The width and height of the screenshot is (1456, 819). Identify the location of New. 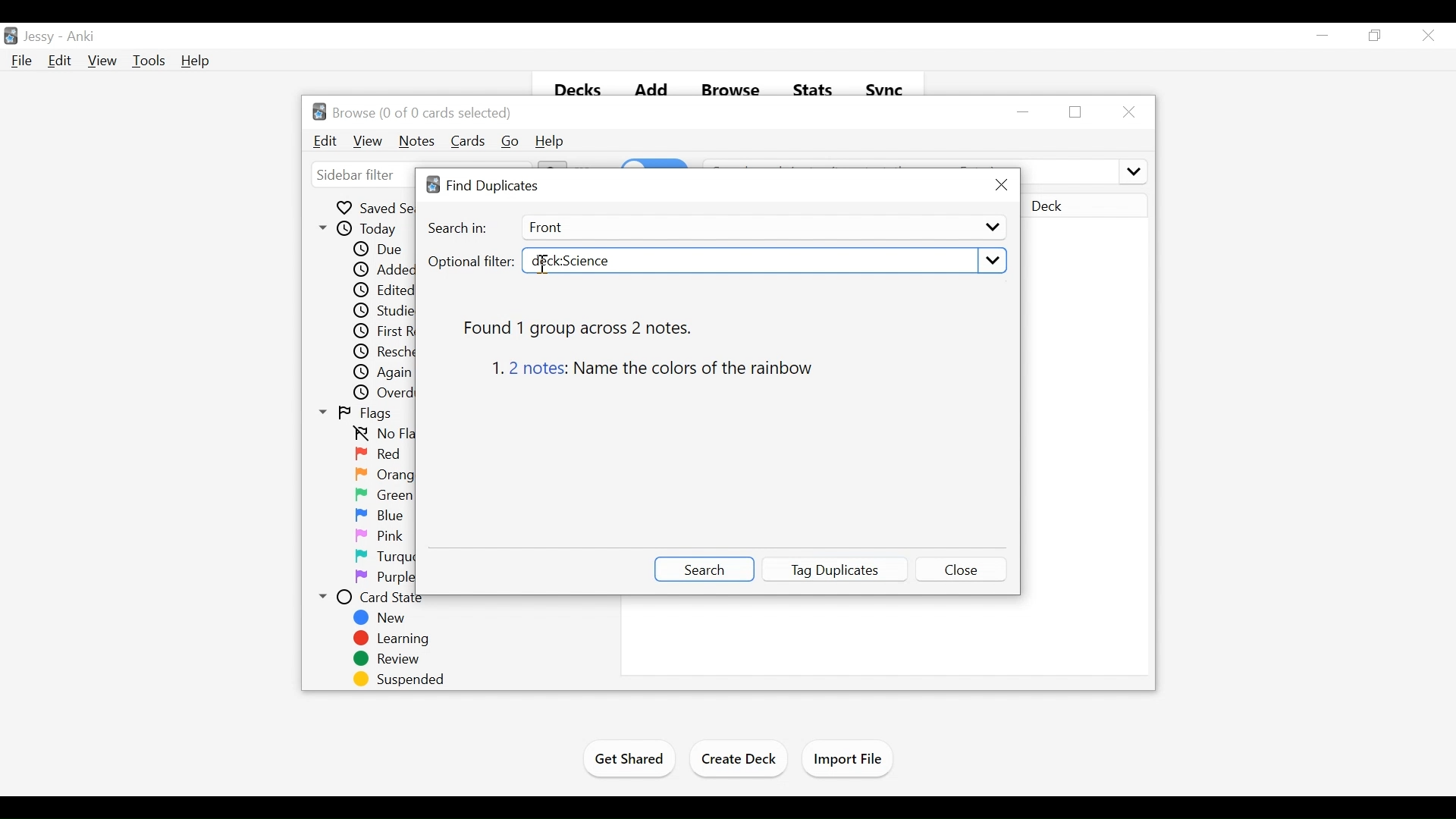
(384, 618).